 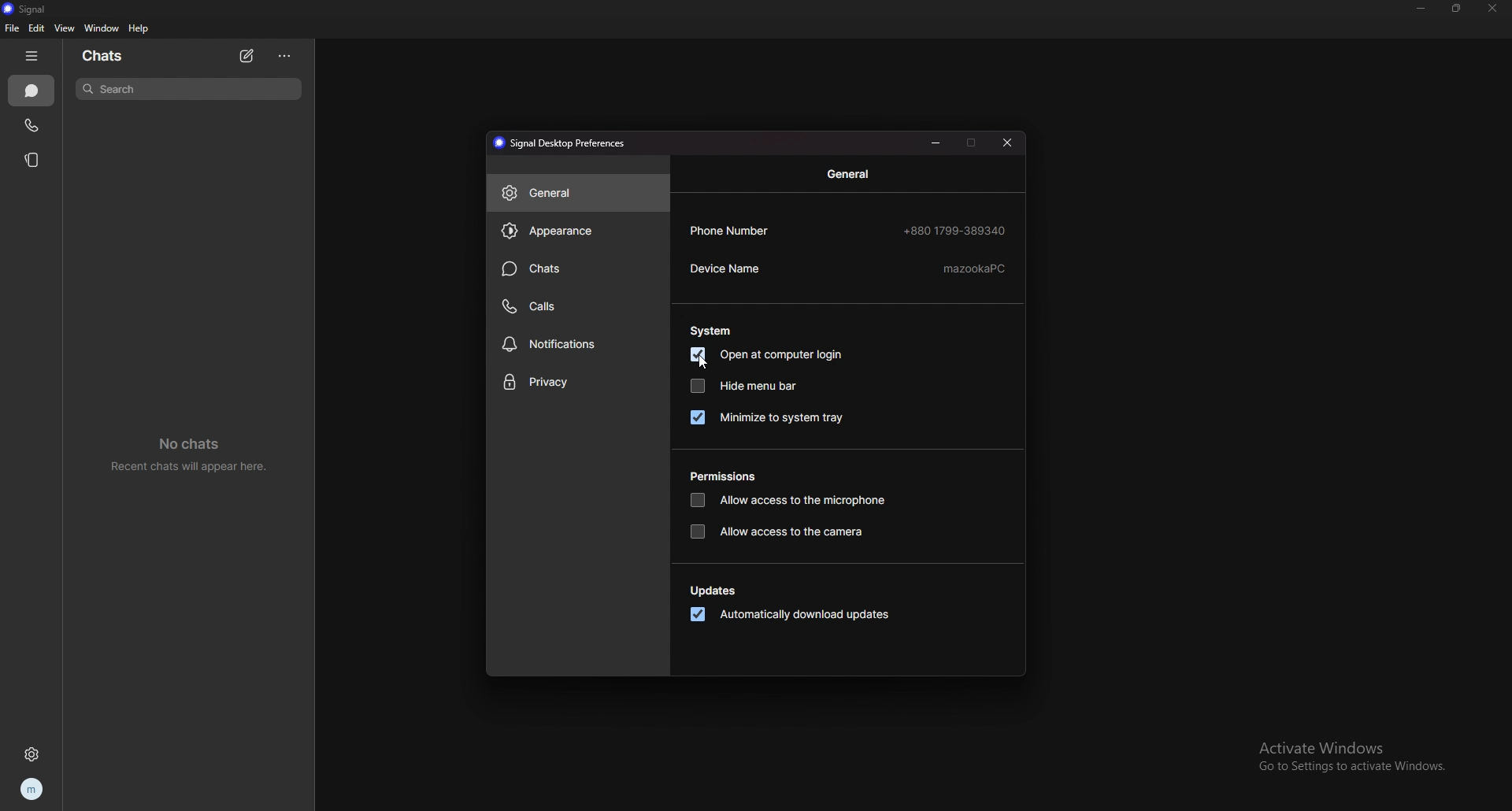 I want to click on options, so click(x=287, y=56).